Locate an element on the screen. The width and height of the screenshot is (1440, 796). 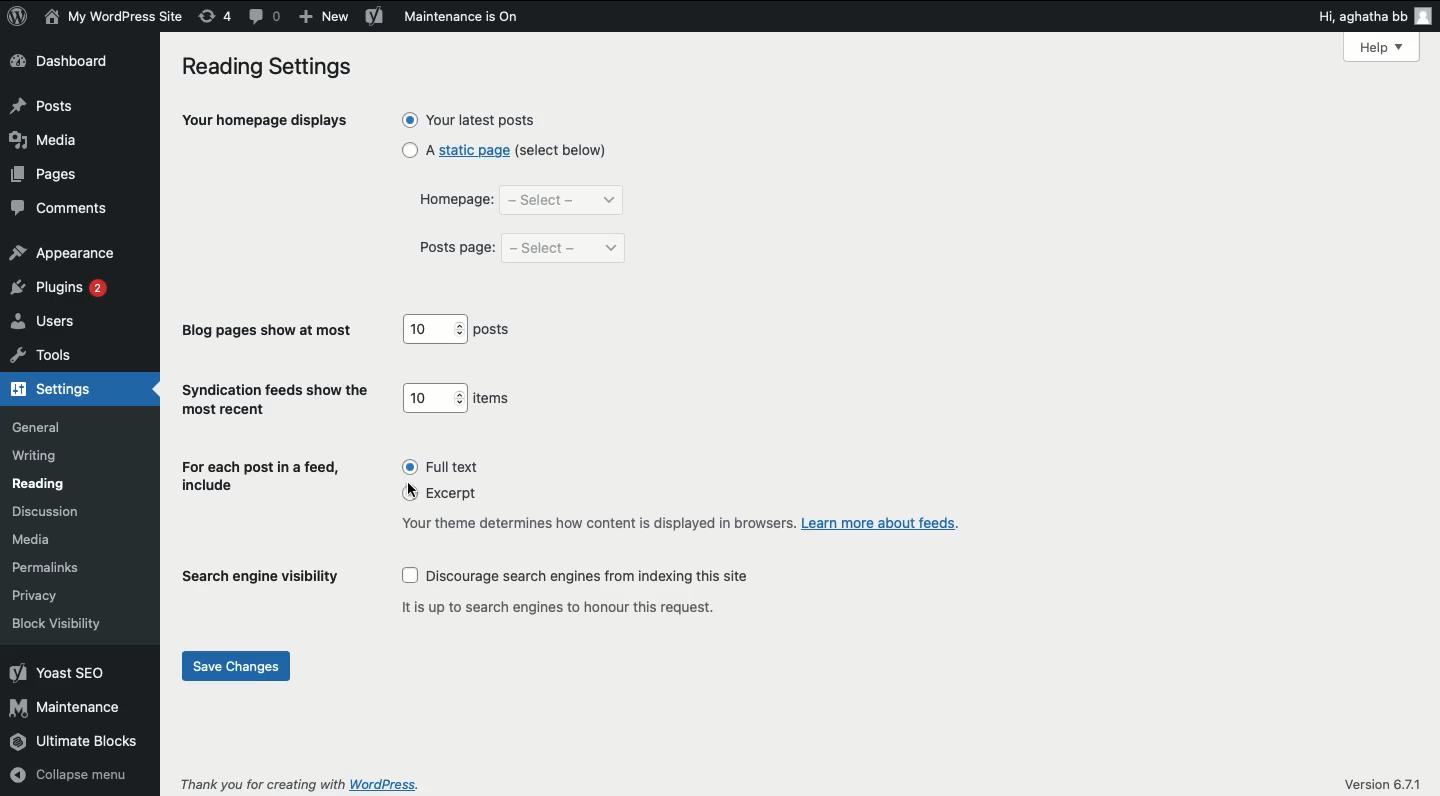
plugins is located at coordinates (58, 286).